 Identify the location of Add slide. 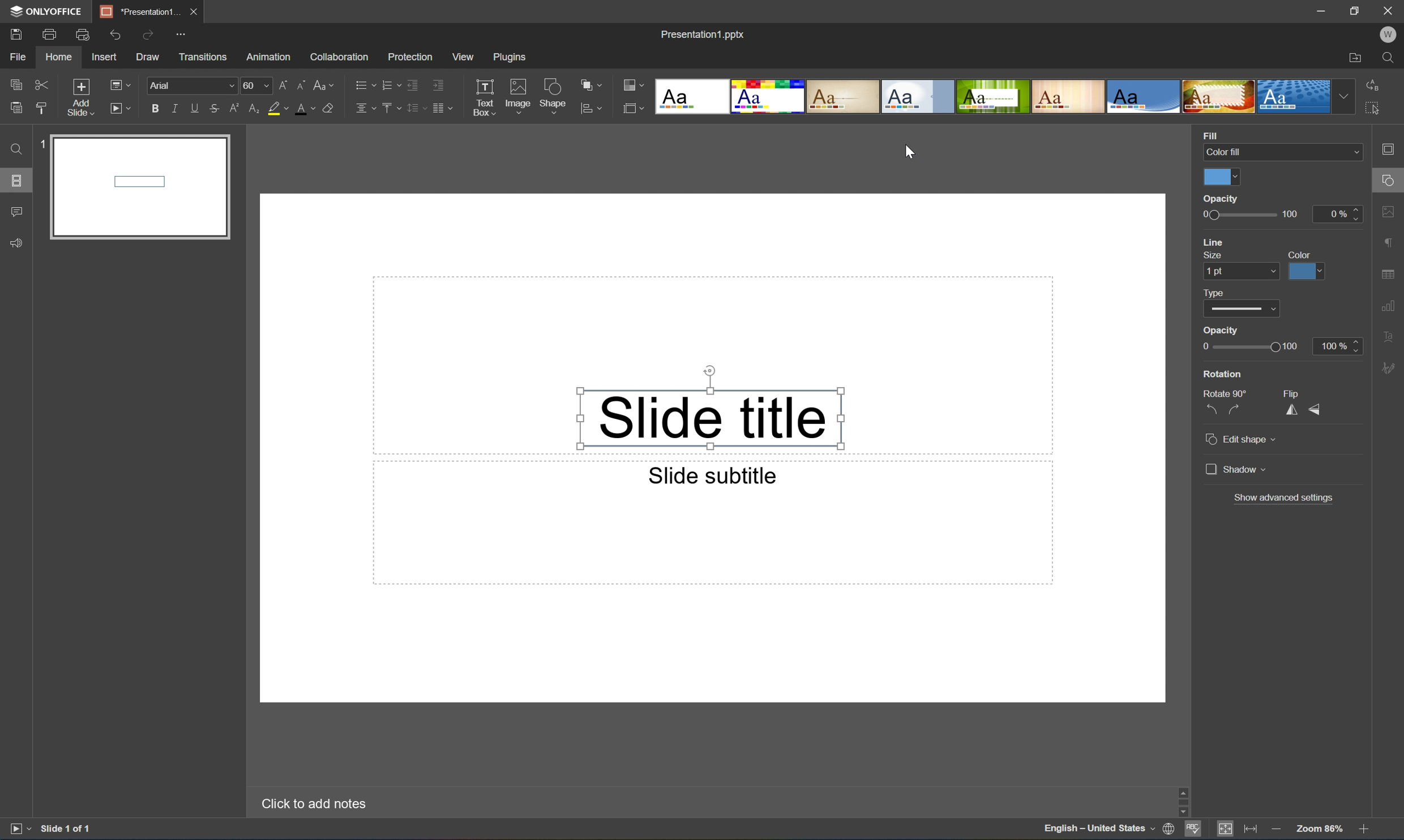
(78, 96).